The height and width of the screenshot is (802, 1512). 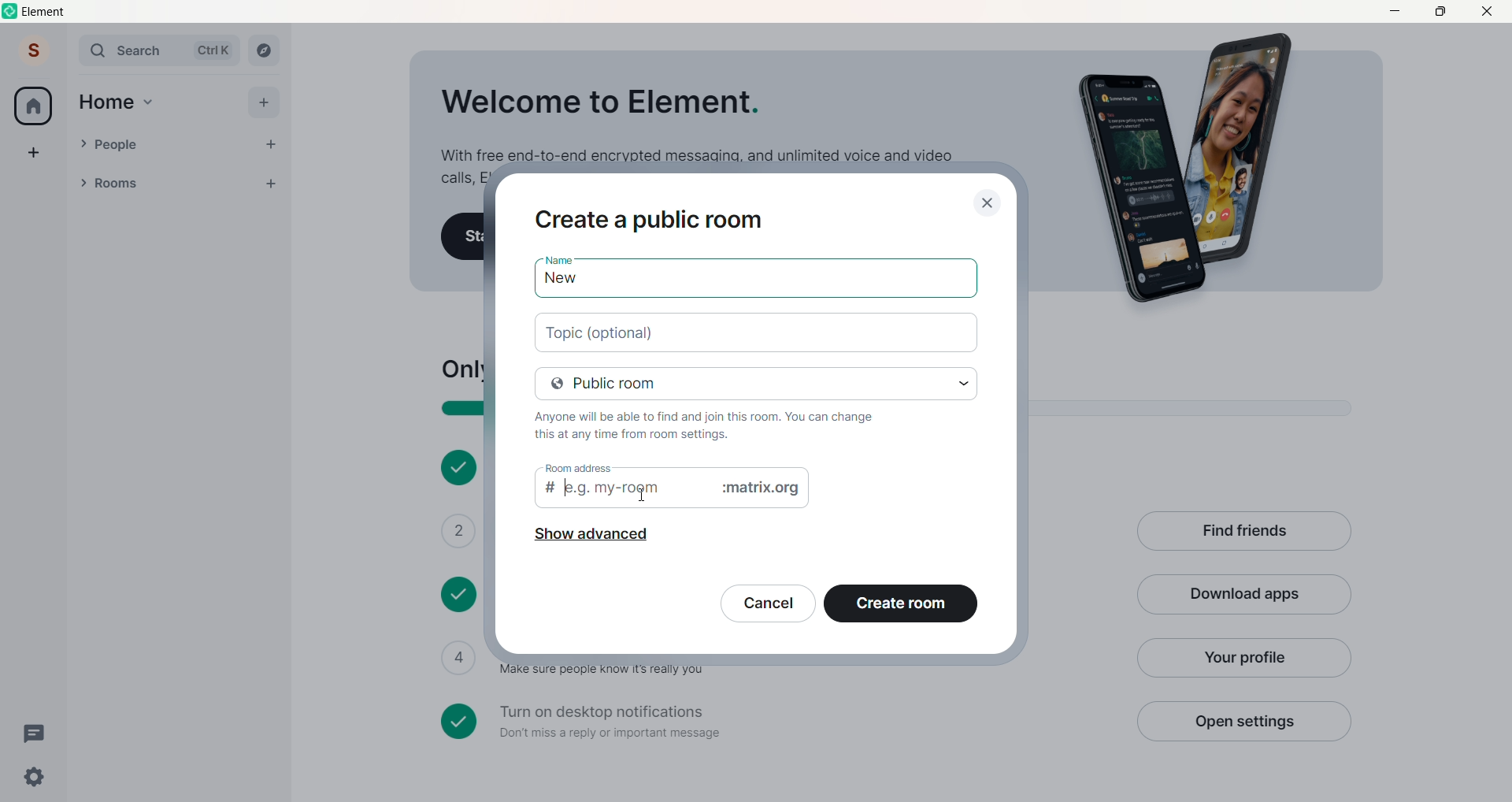 What do you see at coordinates (172, 145) in the screenshot?
I see `People` at bounding box center [172, 145].